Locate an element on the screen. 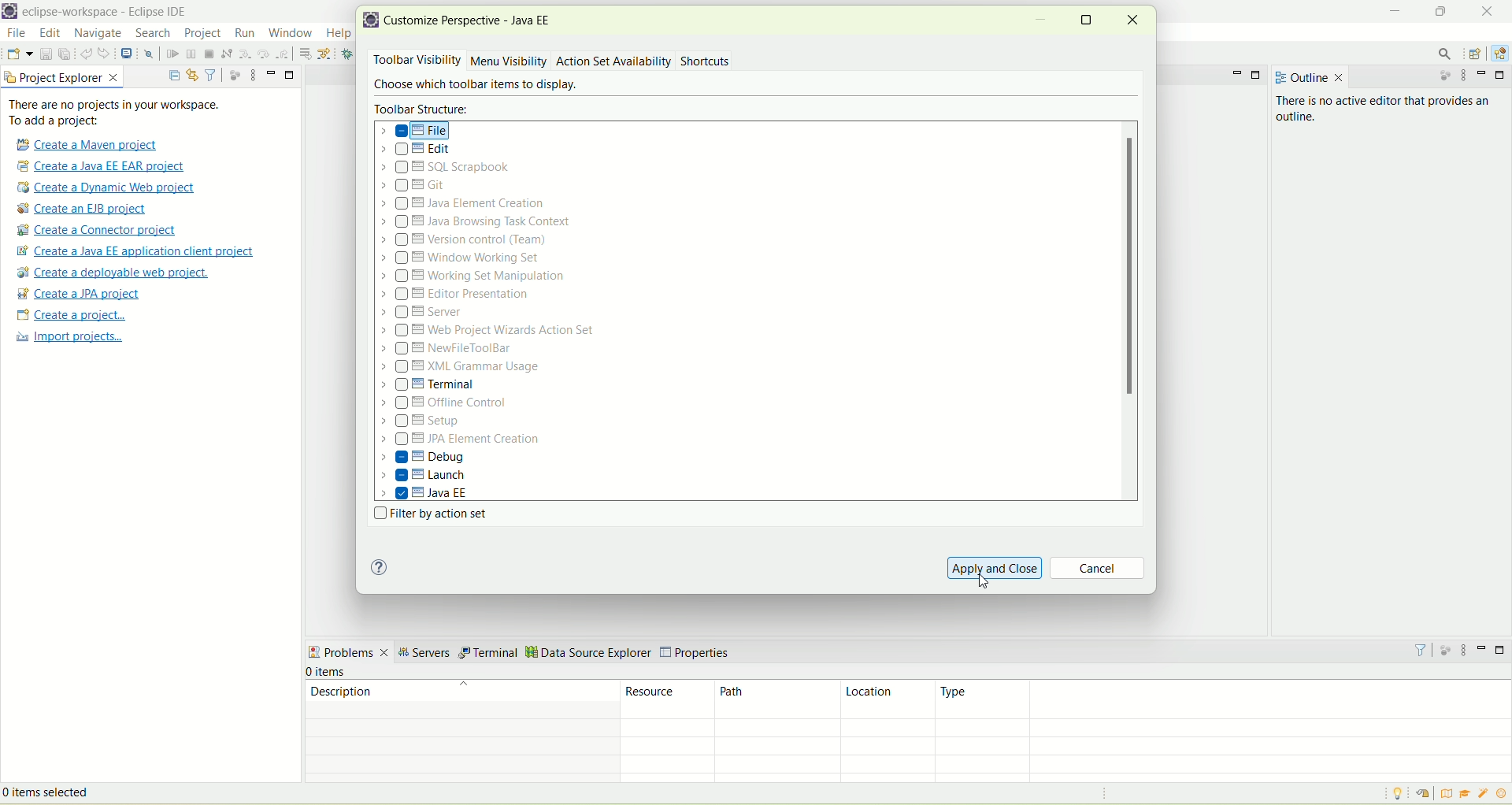 The height and width of the screenshot is (805, 1512). window working set is located at coordinates (462, 258).